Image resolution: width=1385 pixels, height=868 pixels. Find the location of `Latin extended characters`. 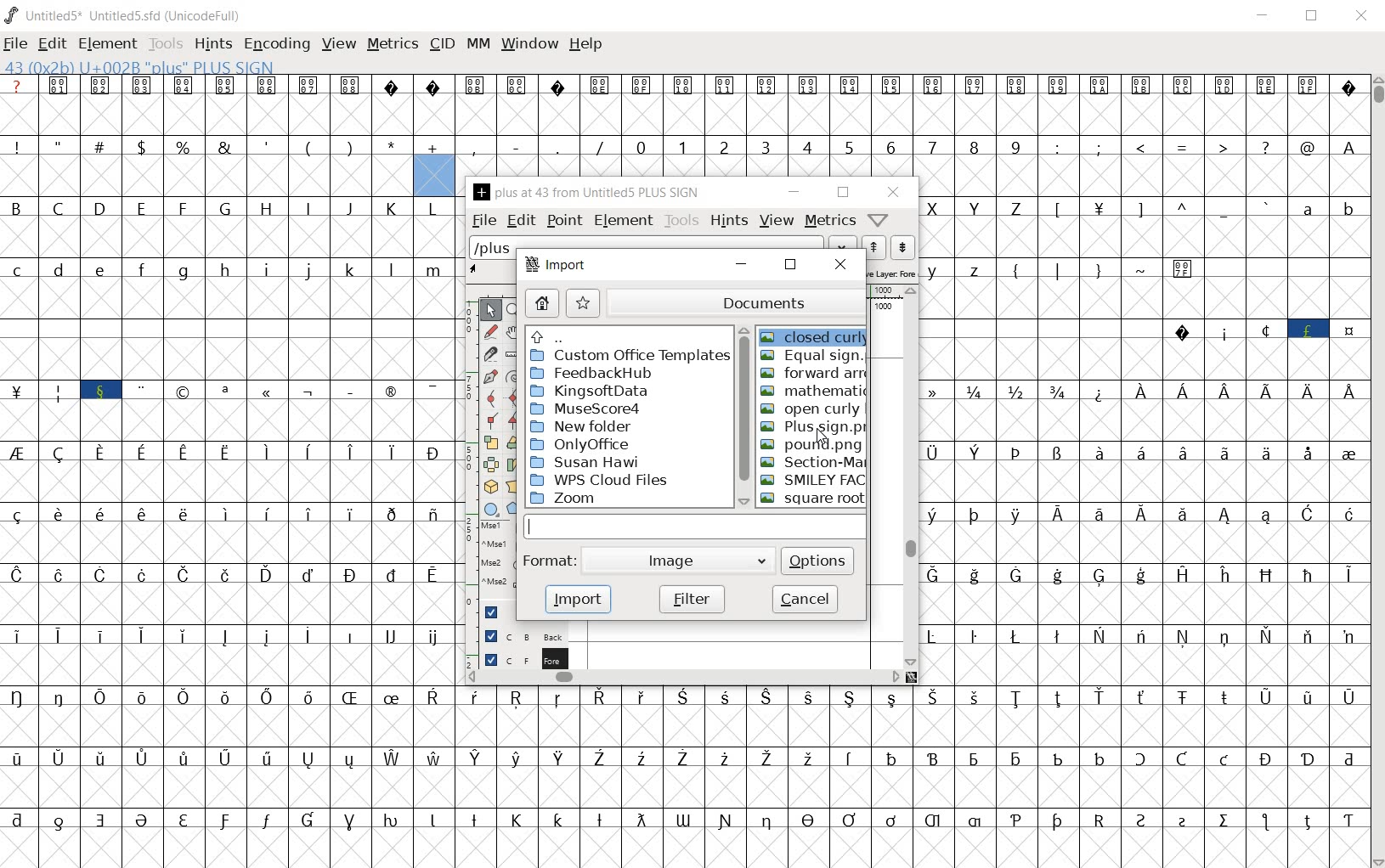

Latin extended characters is located at coordinates (1202, 534).